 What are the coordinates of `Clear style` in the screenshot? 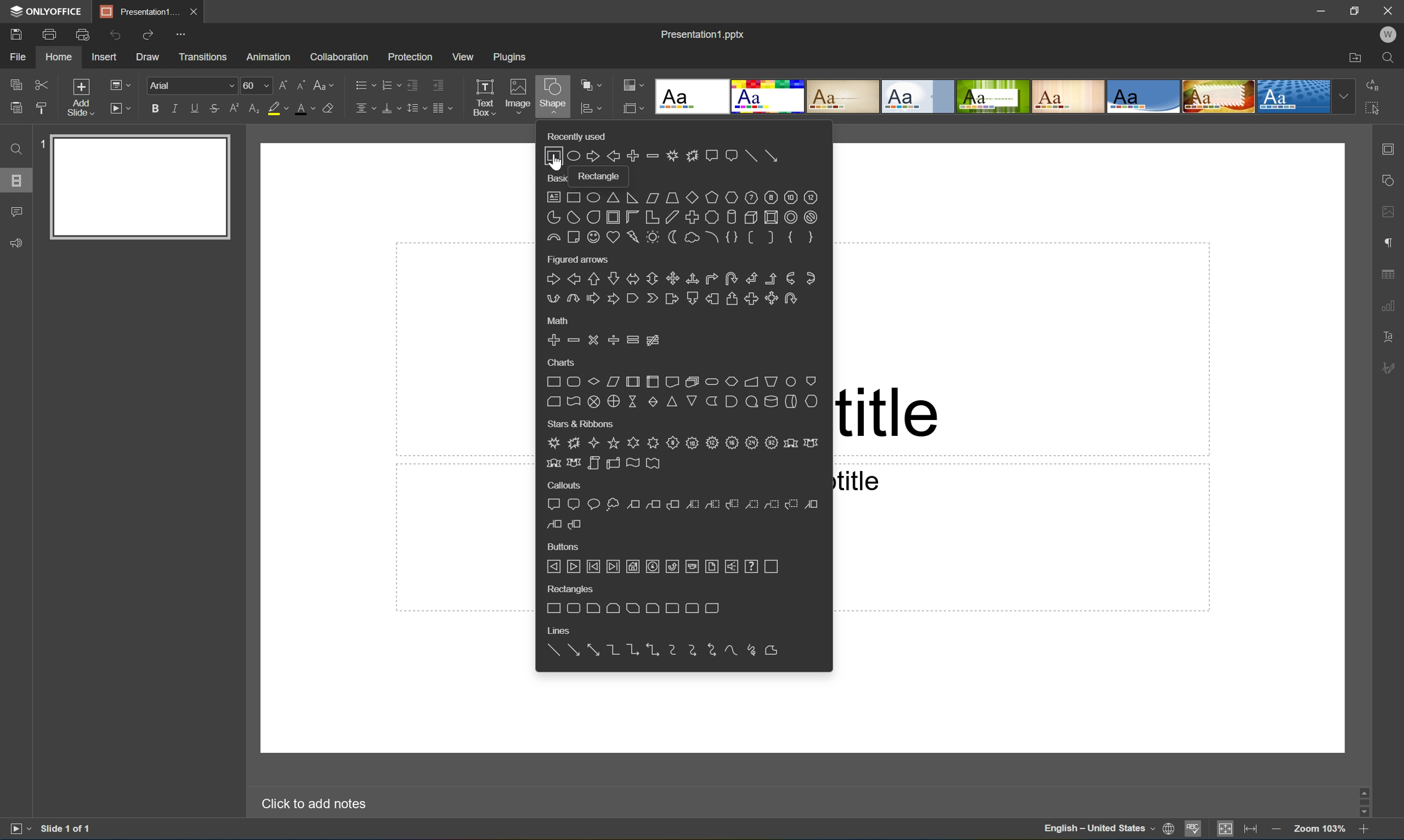 It's located at (335, 109).